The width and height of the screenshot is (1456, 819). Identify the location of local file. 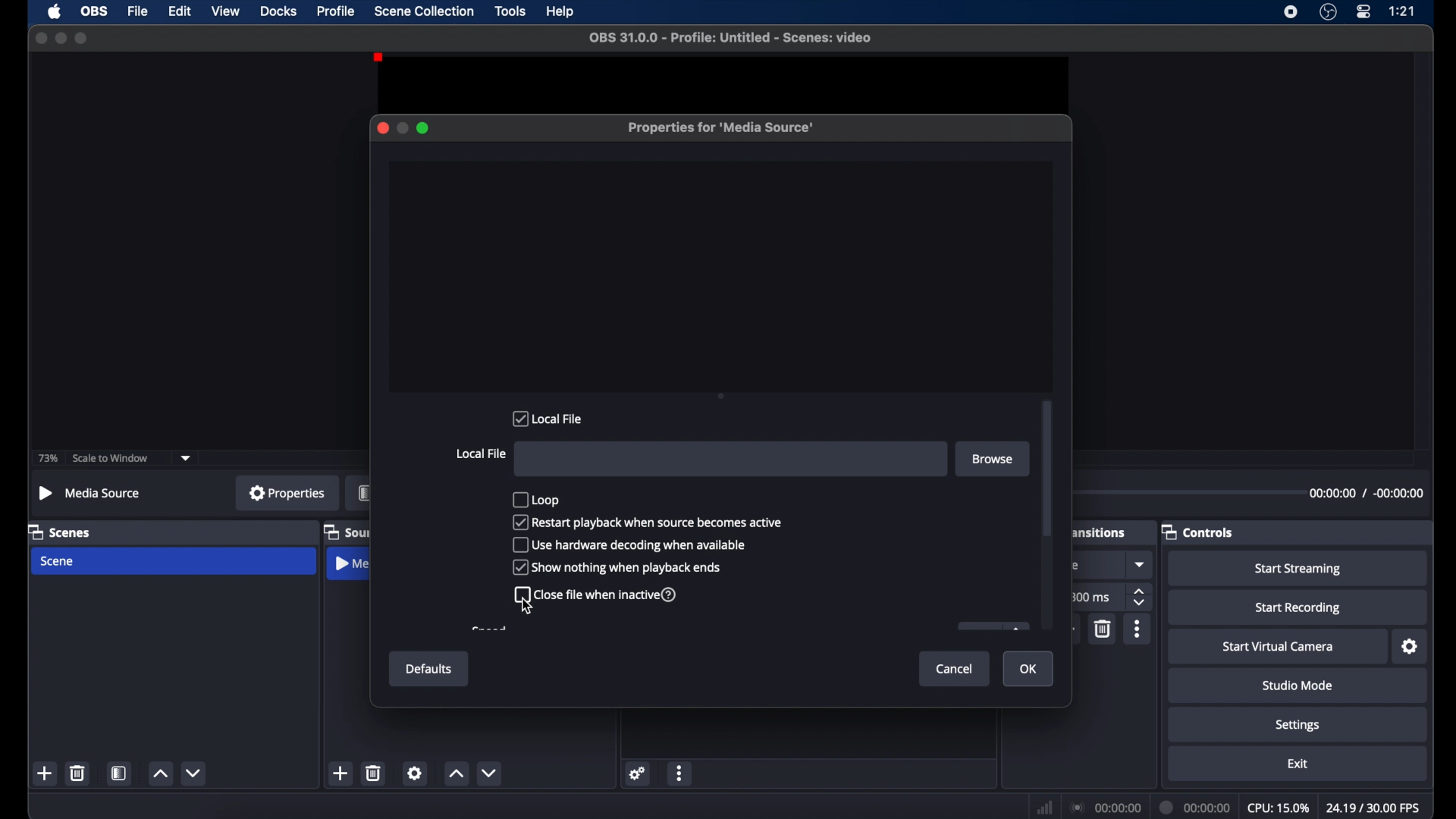
(549, 419).